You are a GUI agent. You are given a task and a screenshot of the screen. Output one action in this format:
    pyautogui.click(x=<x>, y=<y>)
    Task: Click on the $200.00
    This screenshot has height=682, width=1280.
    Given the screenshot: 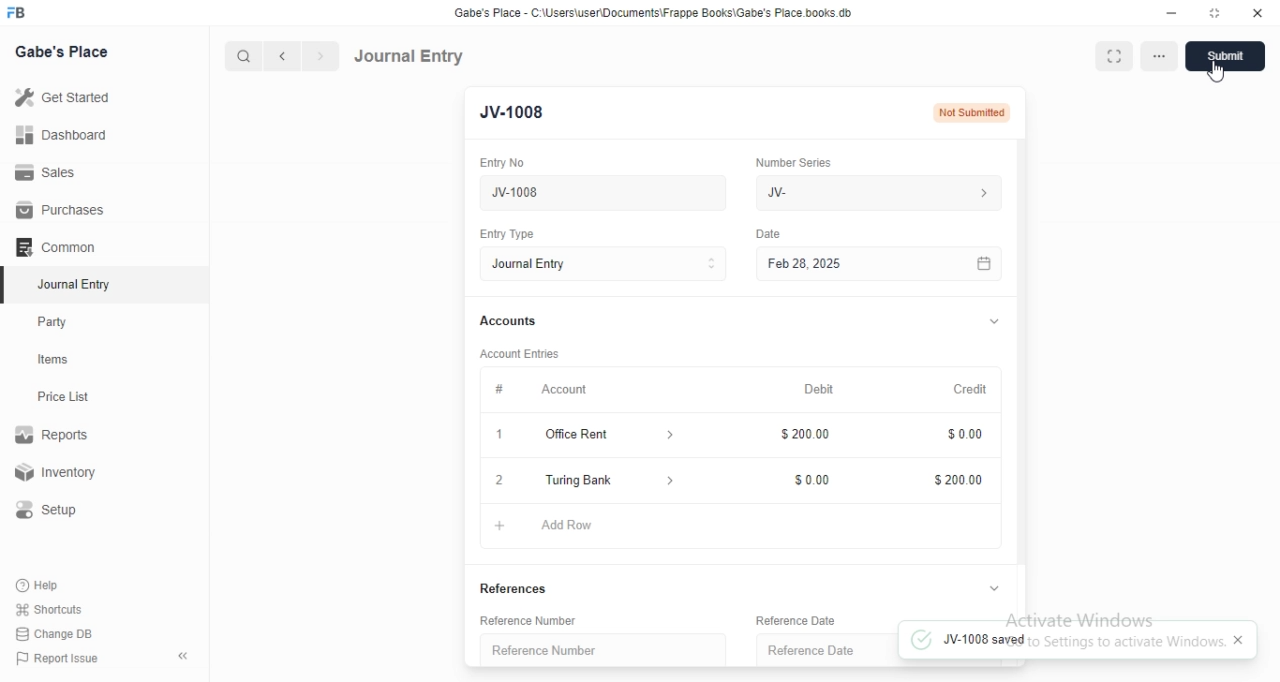 What is the action you would take?
    pyautogui.click(x=806, y=433)
    